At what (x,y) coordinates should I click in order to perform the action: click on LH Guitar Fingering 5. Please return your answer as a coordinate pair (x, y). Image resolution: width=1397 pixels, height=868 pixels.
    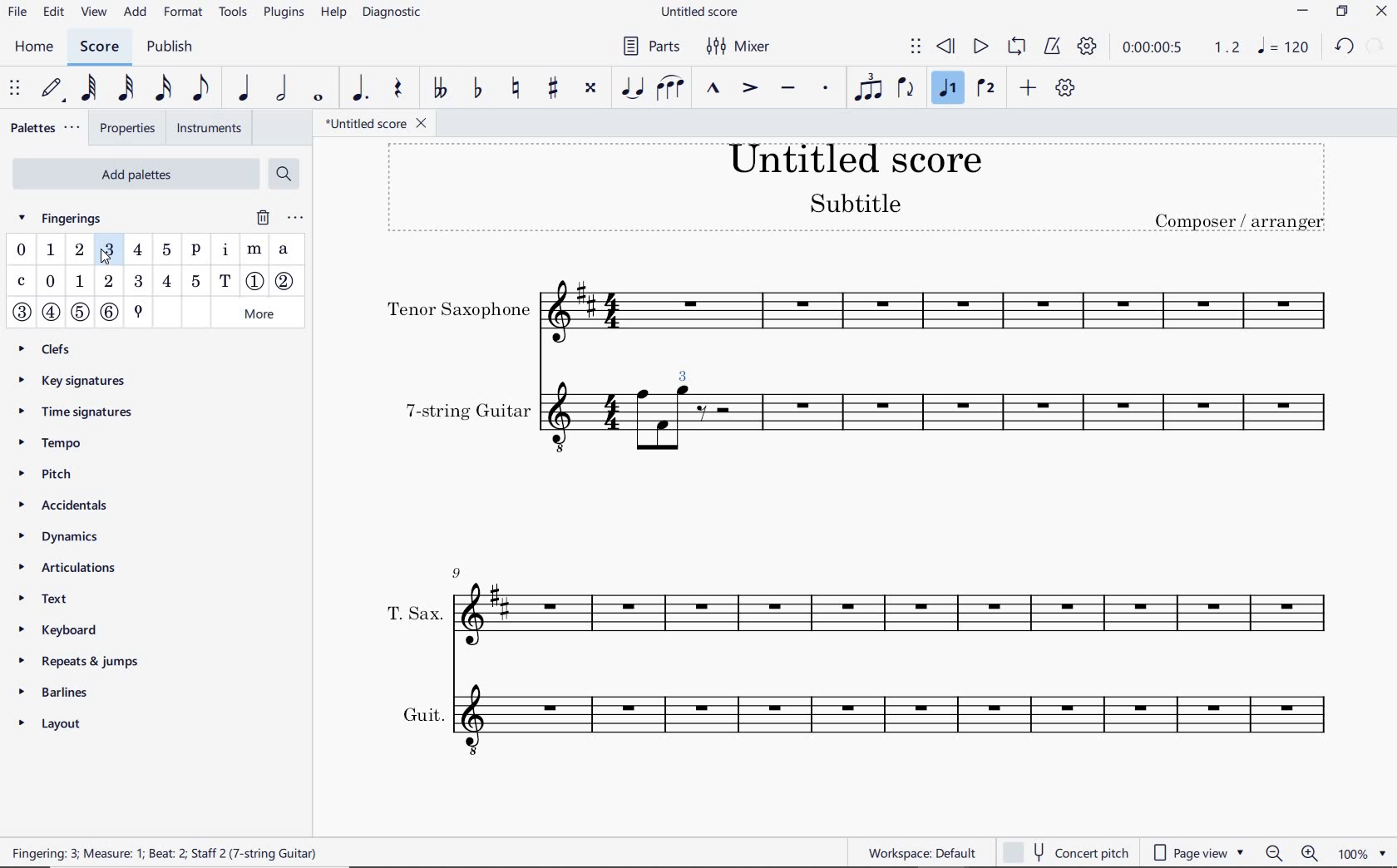
    Looking at the image, I should click on (194, 280).